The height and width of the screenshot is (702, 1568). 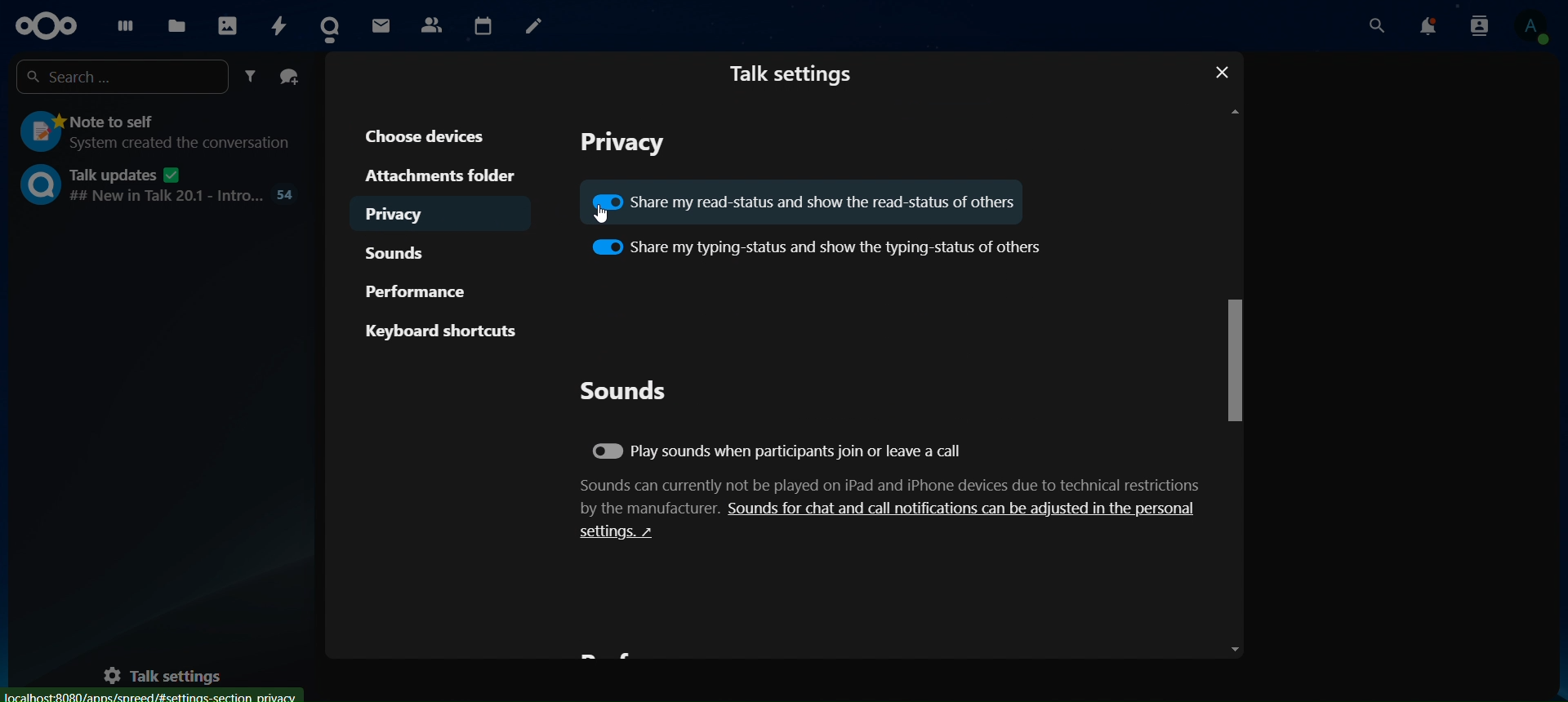 What do you see at coordinates (797, 73) in the screenshot?
I see `talk settings` at bounding box center [797, 73].